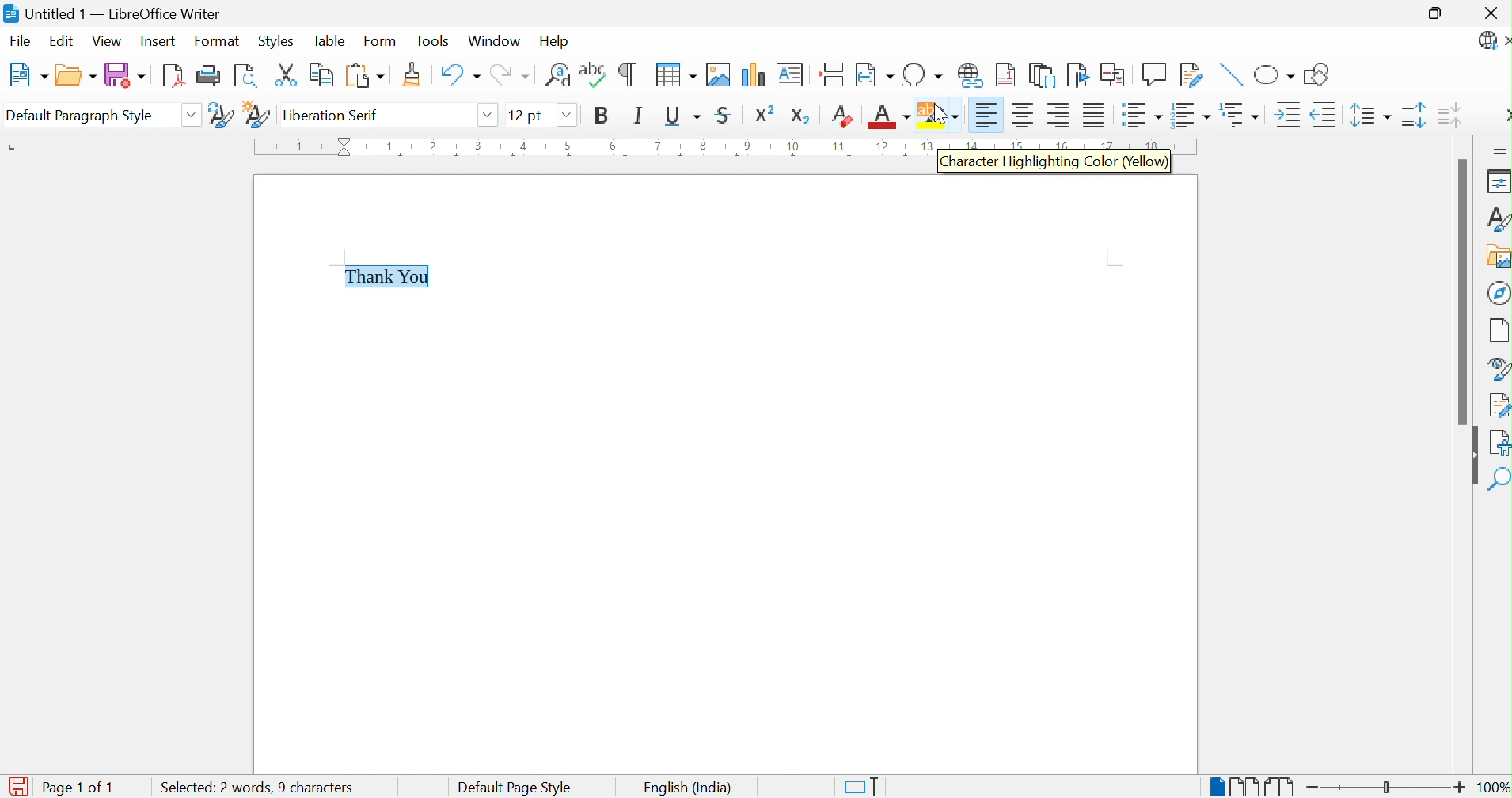 The width and height of the screenshot is (1512, 798). Describe the element at coordinates (1192, 74) in the screenshot. I see `Show Track Changes Functions` at that location.